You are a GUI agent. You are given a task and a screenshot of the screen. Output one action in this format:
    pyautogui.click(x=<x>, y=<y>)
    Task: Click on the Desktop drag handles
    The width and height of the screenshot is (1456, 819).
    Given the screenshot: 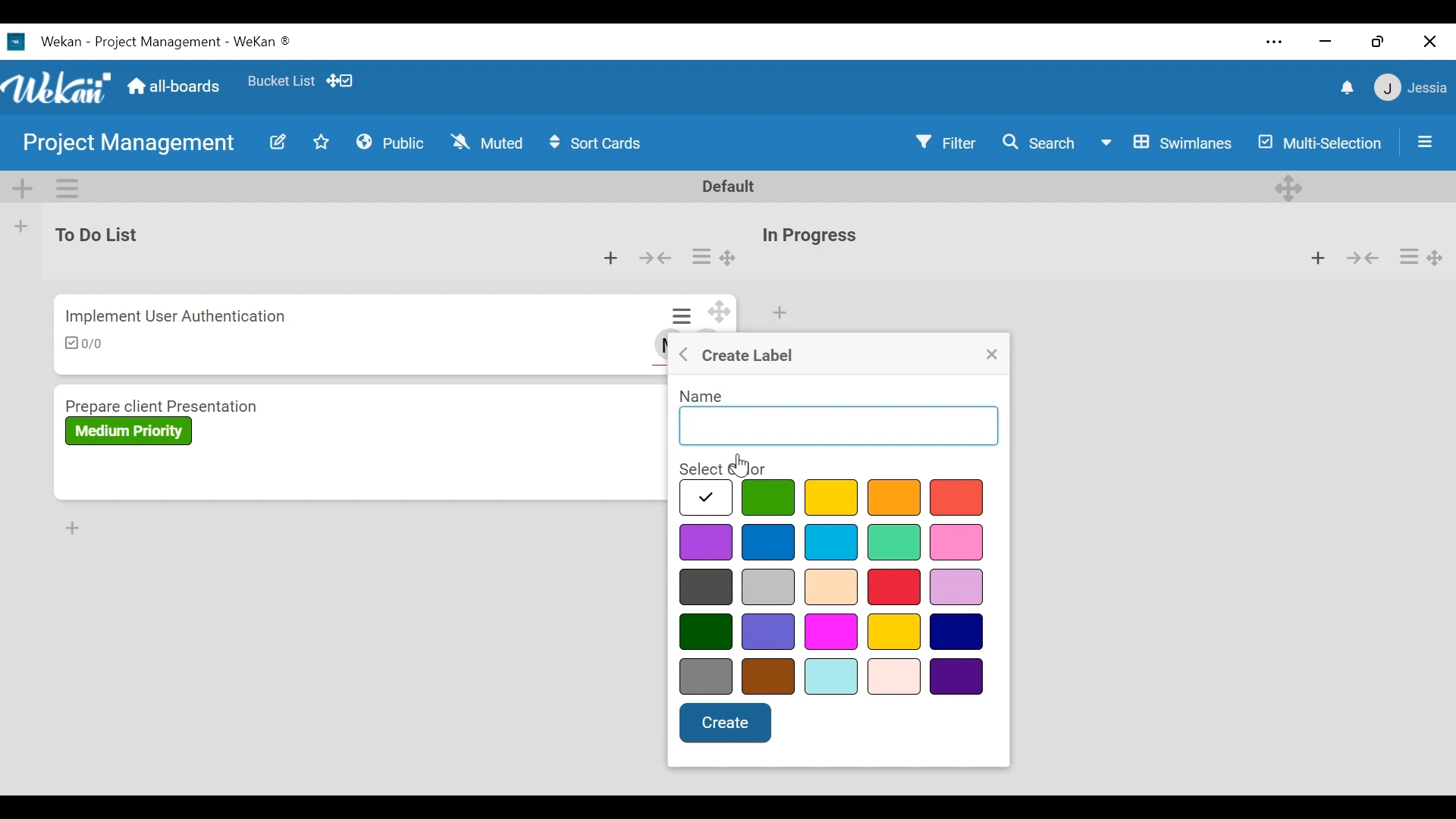 What is the action you would take?
    pyautogui.click(x=722, y=312)
    